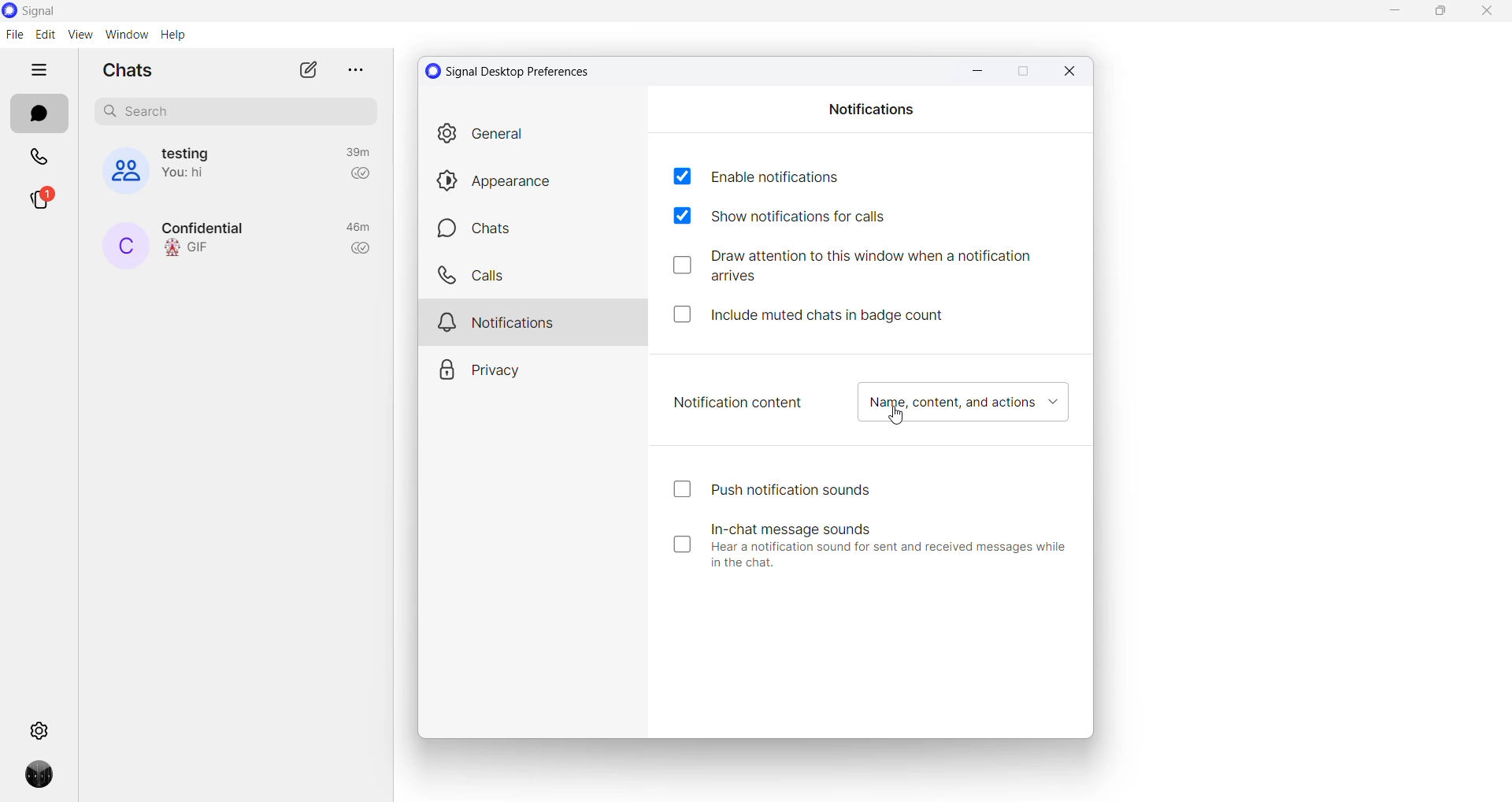 The image size is (1512, 802). Describe the element at coordinates (306, 71) in the screenshot. I see `new chat` at that location.